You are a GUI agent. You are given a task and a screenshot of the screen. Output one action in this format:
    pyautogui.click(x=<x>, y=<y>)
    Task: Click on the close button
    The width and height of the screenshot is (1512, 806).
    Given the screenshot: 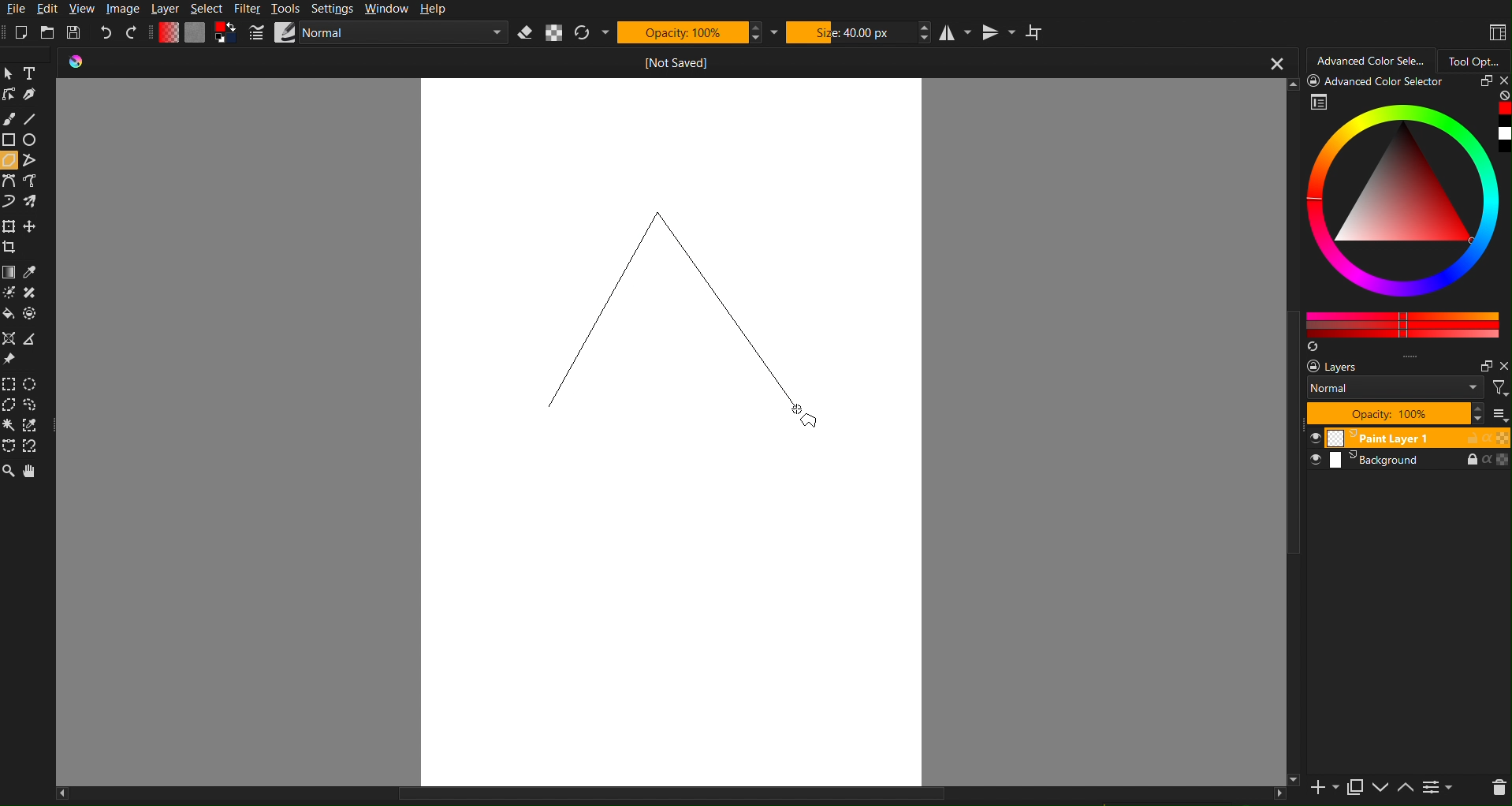 What is the action you would take?
    pyautogui.click(x=1276, y=62)
    